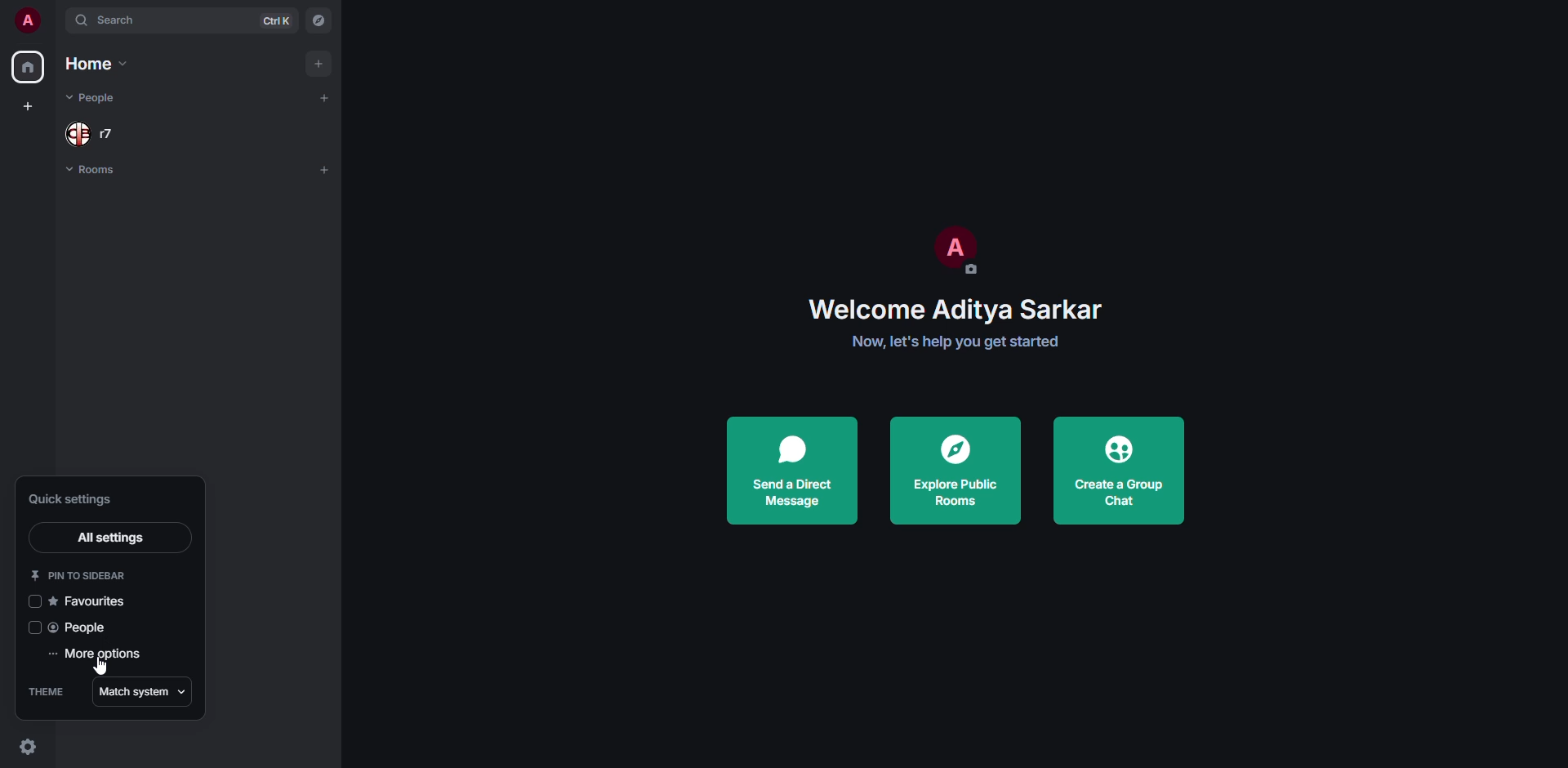 The width and height of the screenshot is (1568, 768). I want to click on add, so click(325, 168).